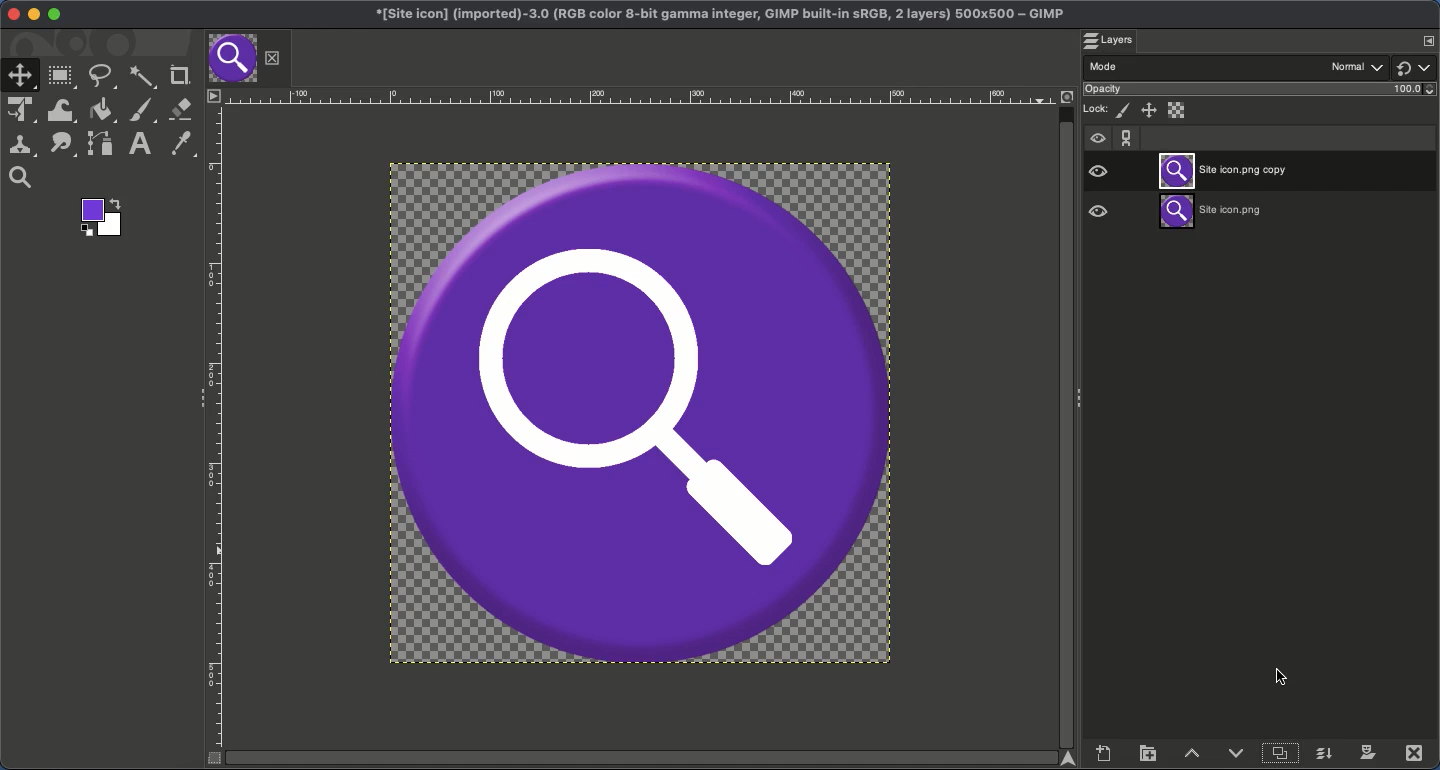  What do you see at coordinates (99, 145) in the screenshot?
I see `Paths` at bounding box center [99, 145].